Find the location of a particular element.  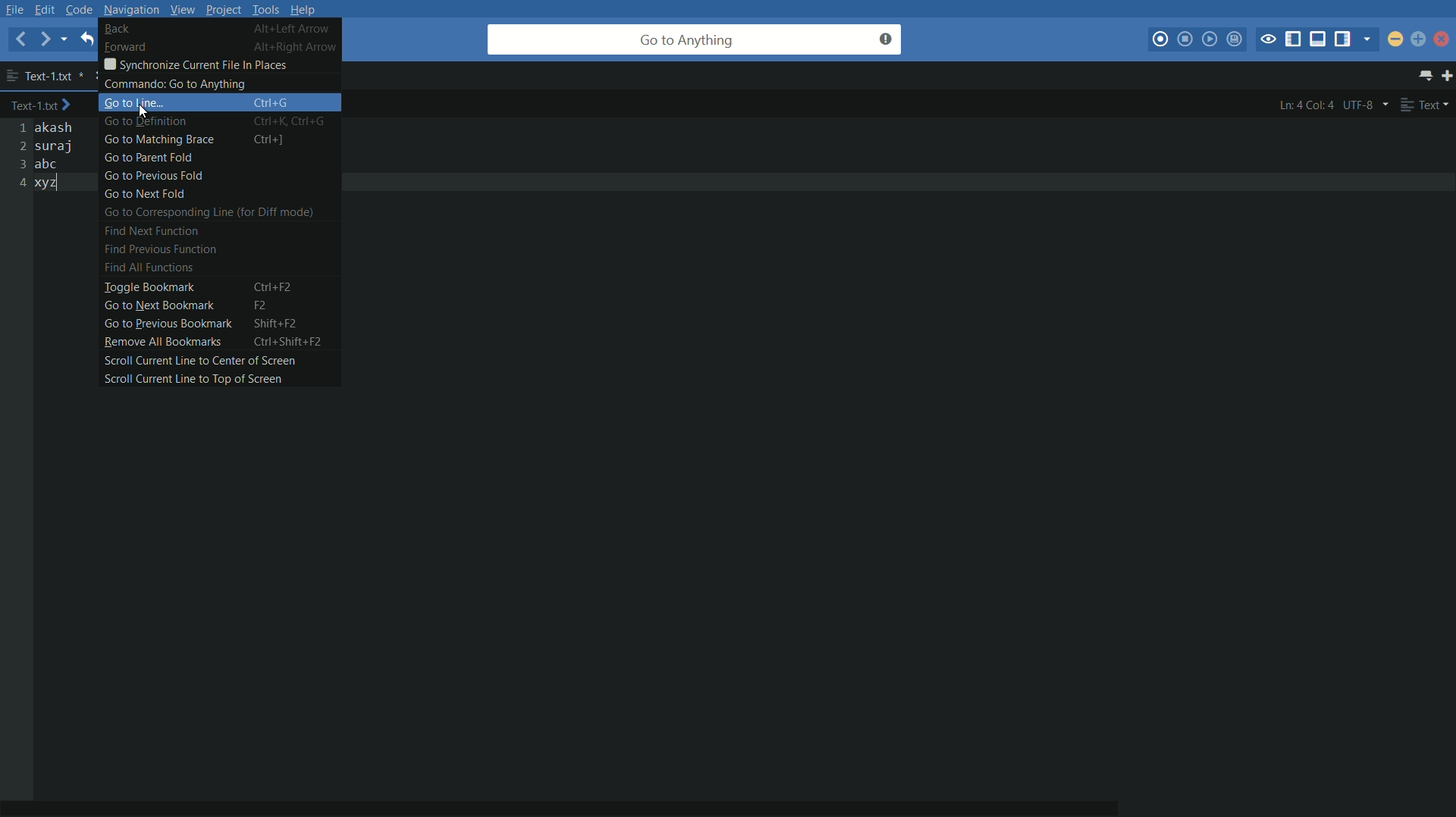

stop macro is located at coordinates (1185, 39).